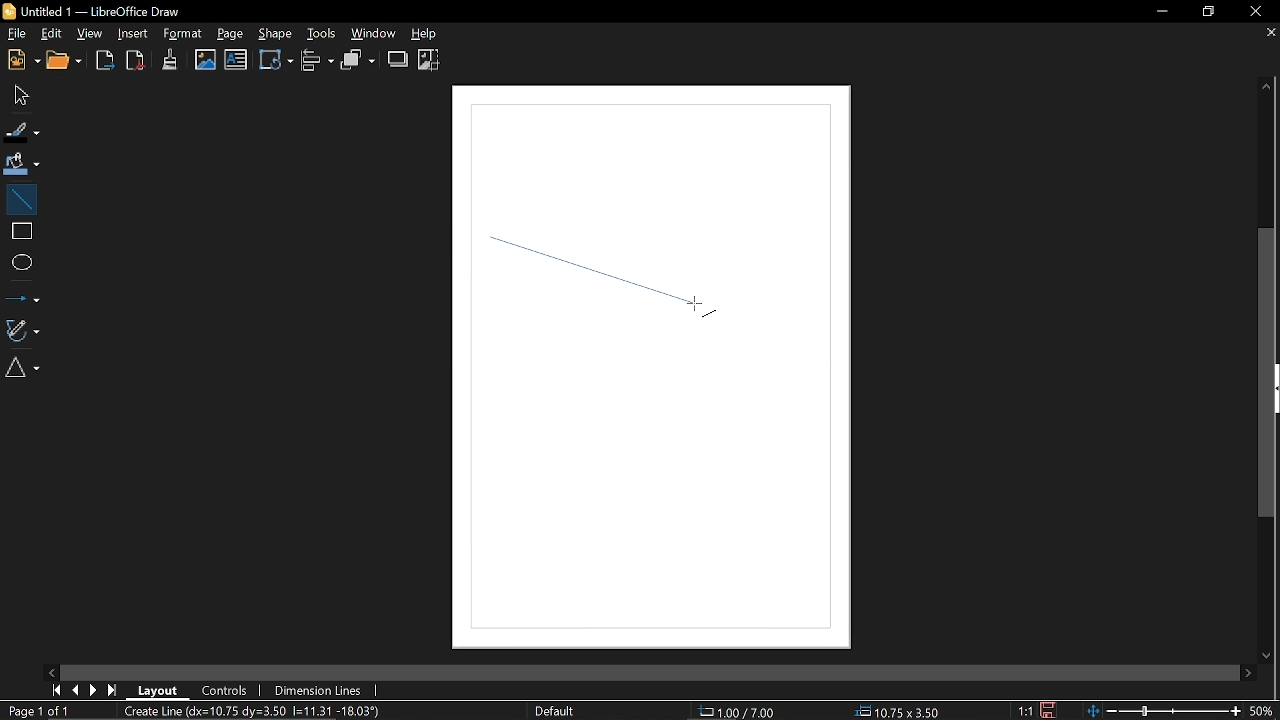 This screenshot has height=720, width=1280. What do you see at coordinates (655, 372) in the screenshot?
I see `Canvas` at bounding box center [655, 372].